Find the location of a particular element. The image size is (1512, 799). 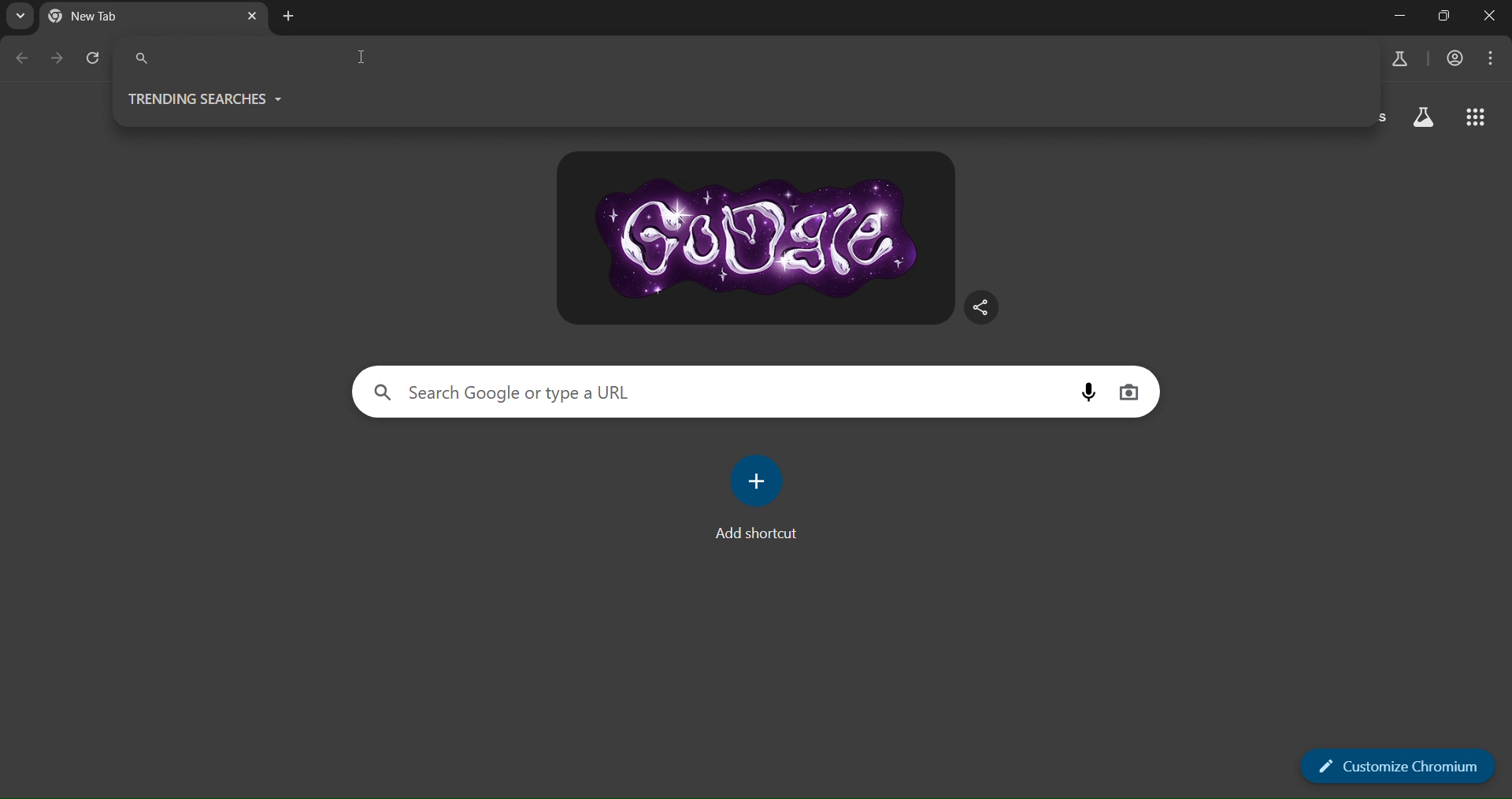

adjust window is located at coordinates (1437, 20).